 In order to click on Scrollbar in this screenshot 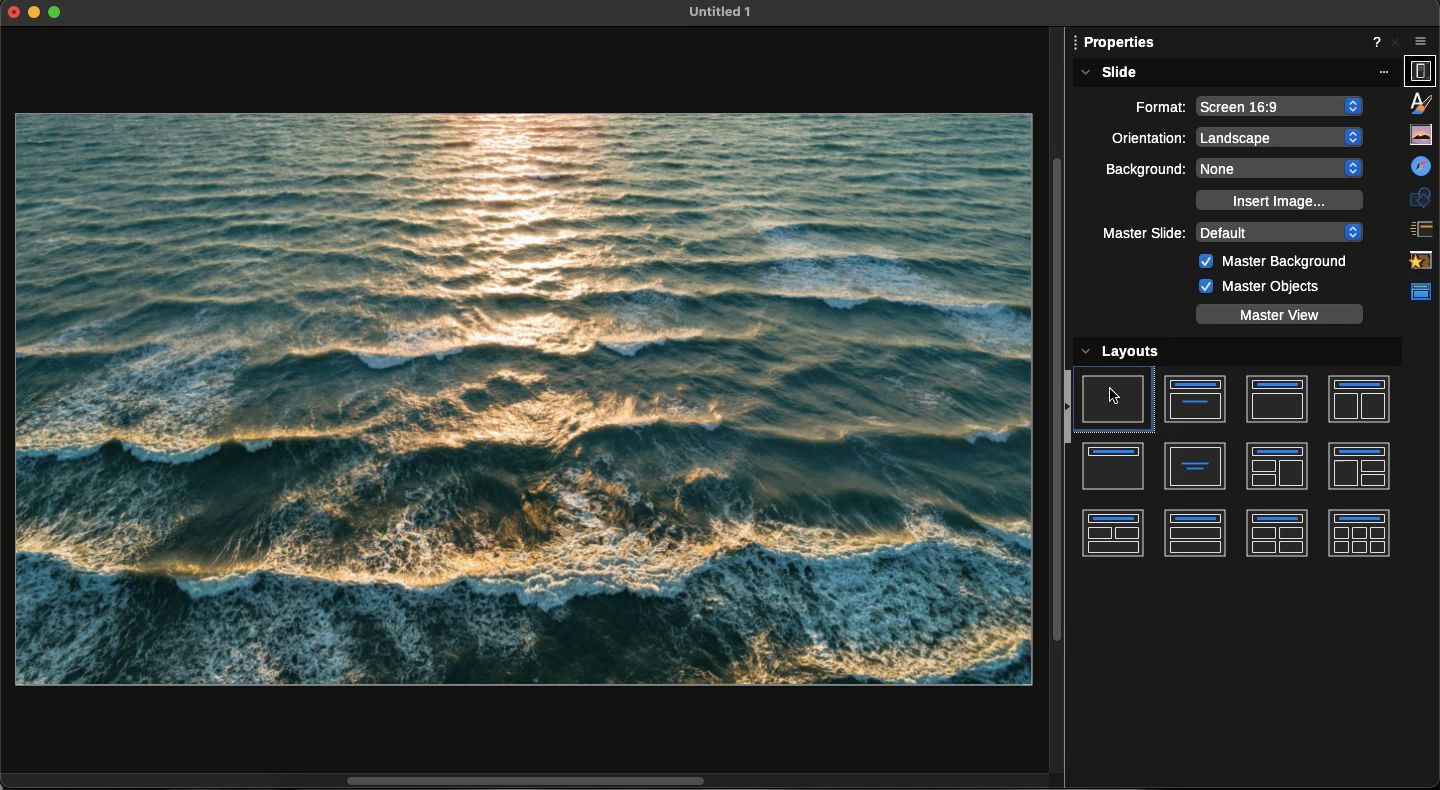, I will do `click(534, 779)`.